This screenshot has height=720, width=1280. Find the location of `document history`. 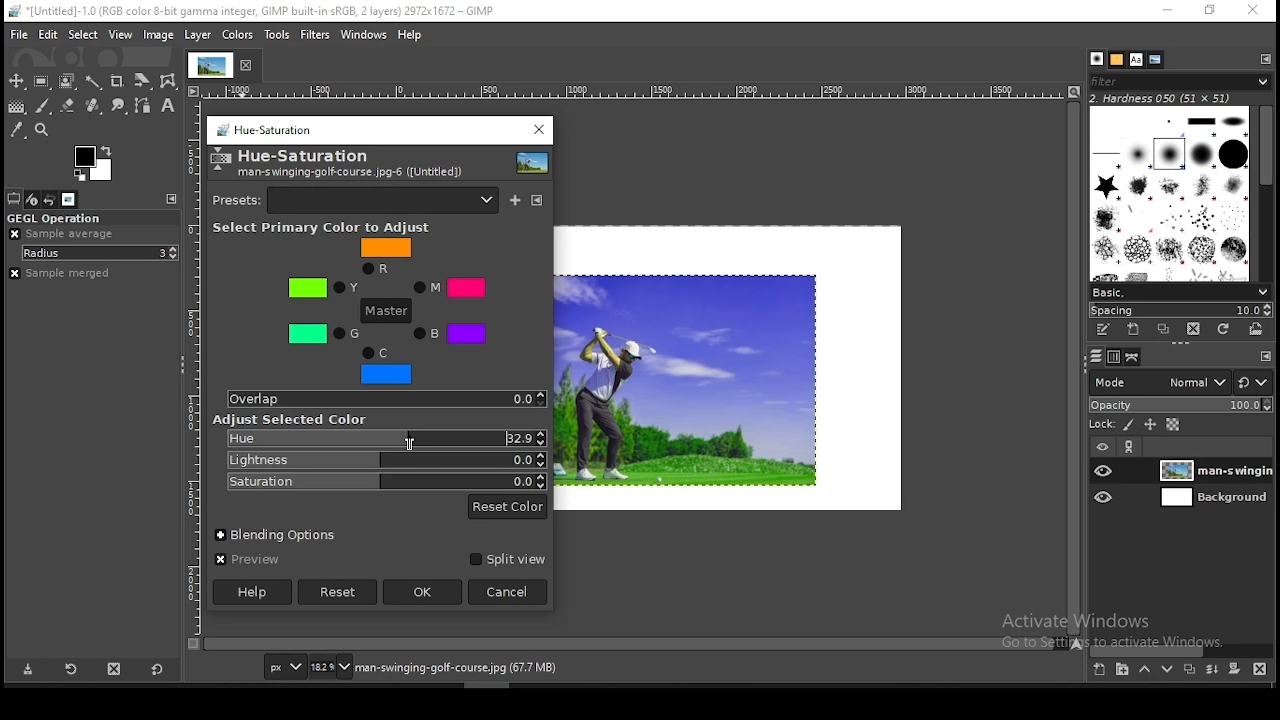

document history is located at coordinates (1154, 59).